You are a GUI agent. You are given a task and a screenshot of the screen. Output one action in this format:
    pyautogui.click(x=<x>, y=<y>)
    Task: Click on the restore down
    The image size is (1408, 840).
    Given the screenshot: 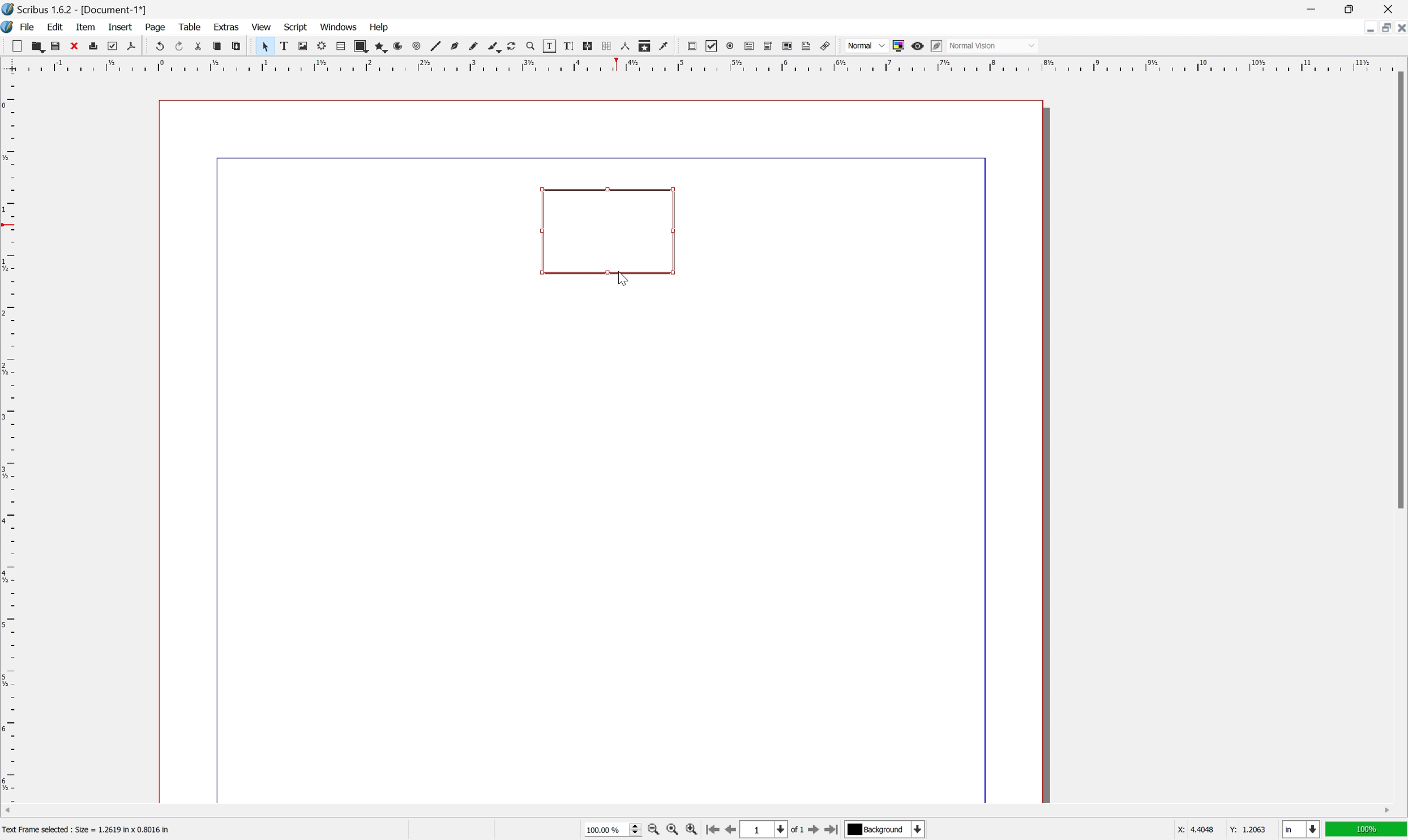 What is the action you would take?
    pyautogui.click(x=1354, y=8)
    